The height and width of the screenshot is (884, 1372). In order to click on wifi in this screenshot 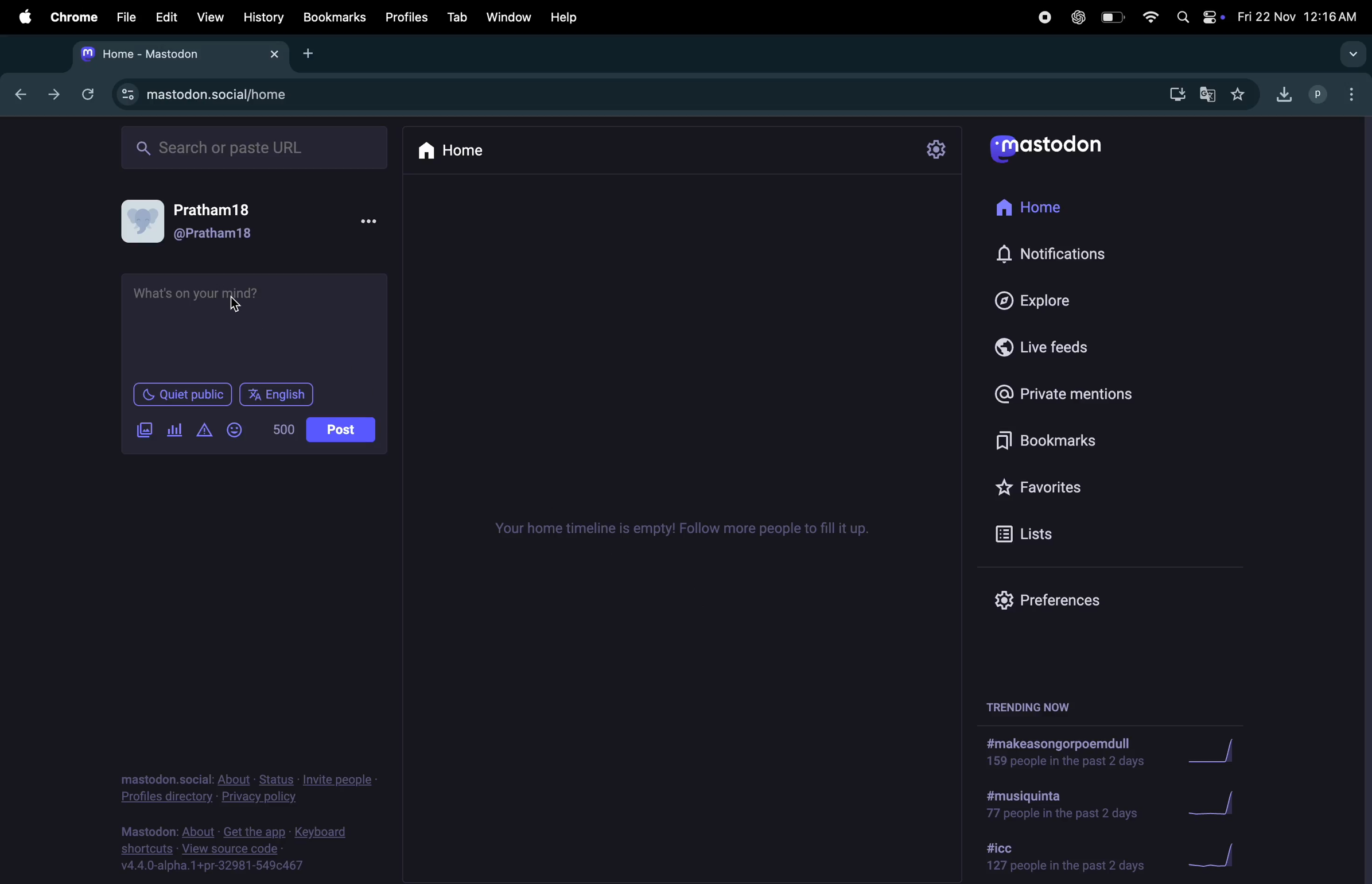, I will do `click(1148, 18)`.